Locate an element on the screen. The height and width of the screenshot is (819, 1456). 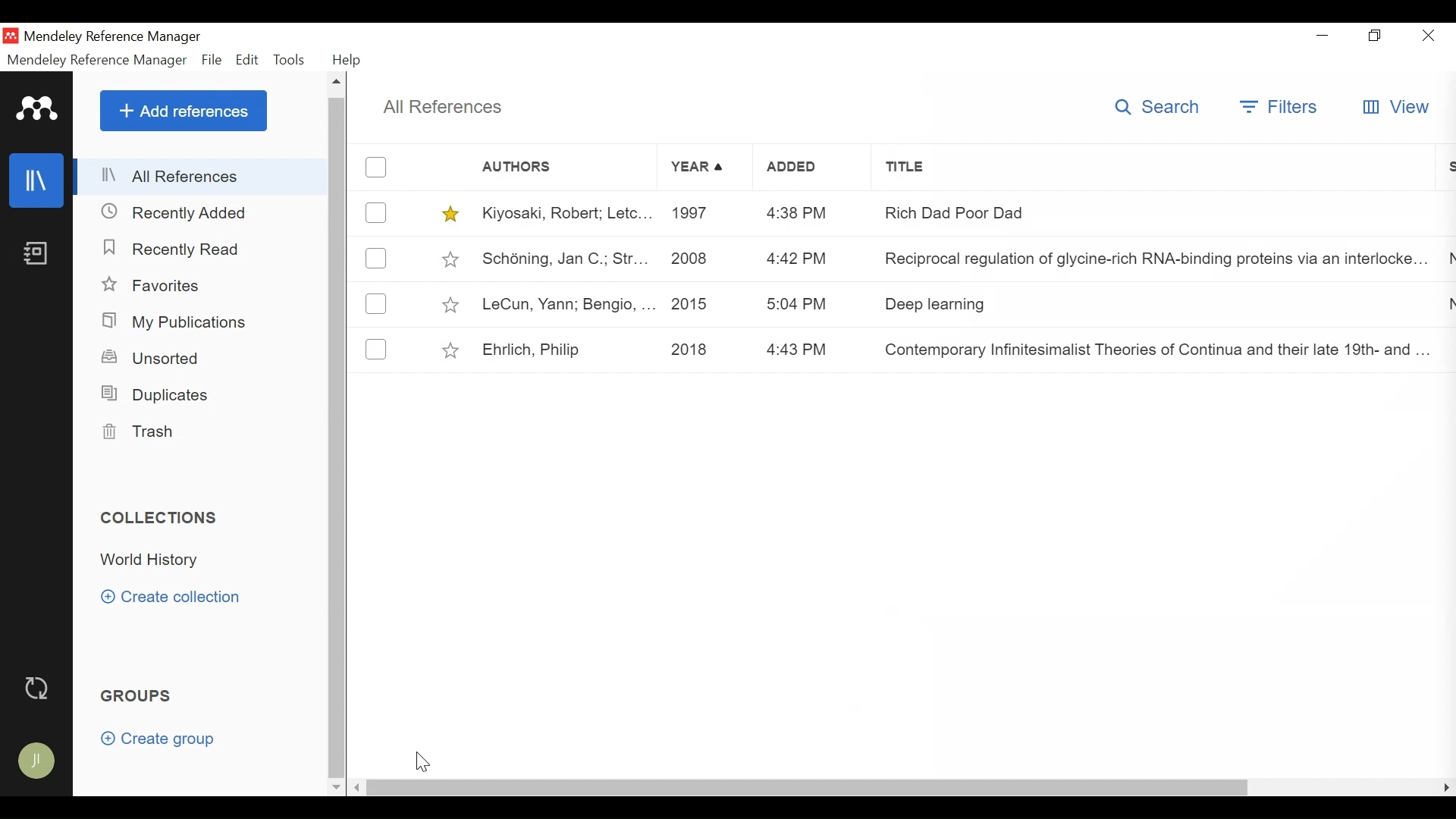
Reciprocal regulation of glycine-rch RNA-binding proteins van rocha is located at coordinates (1154, 262).